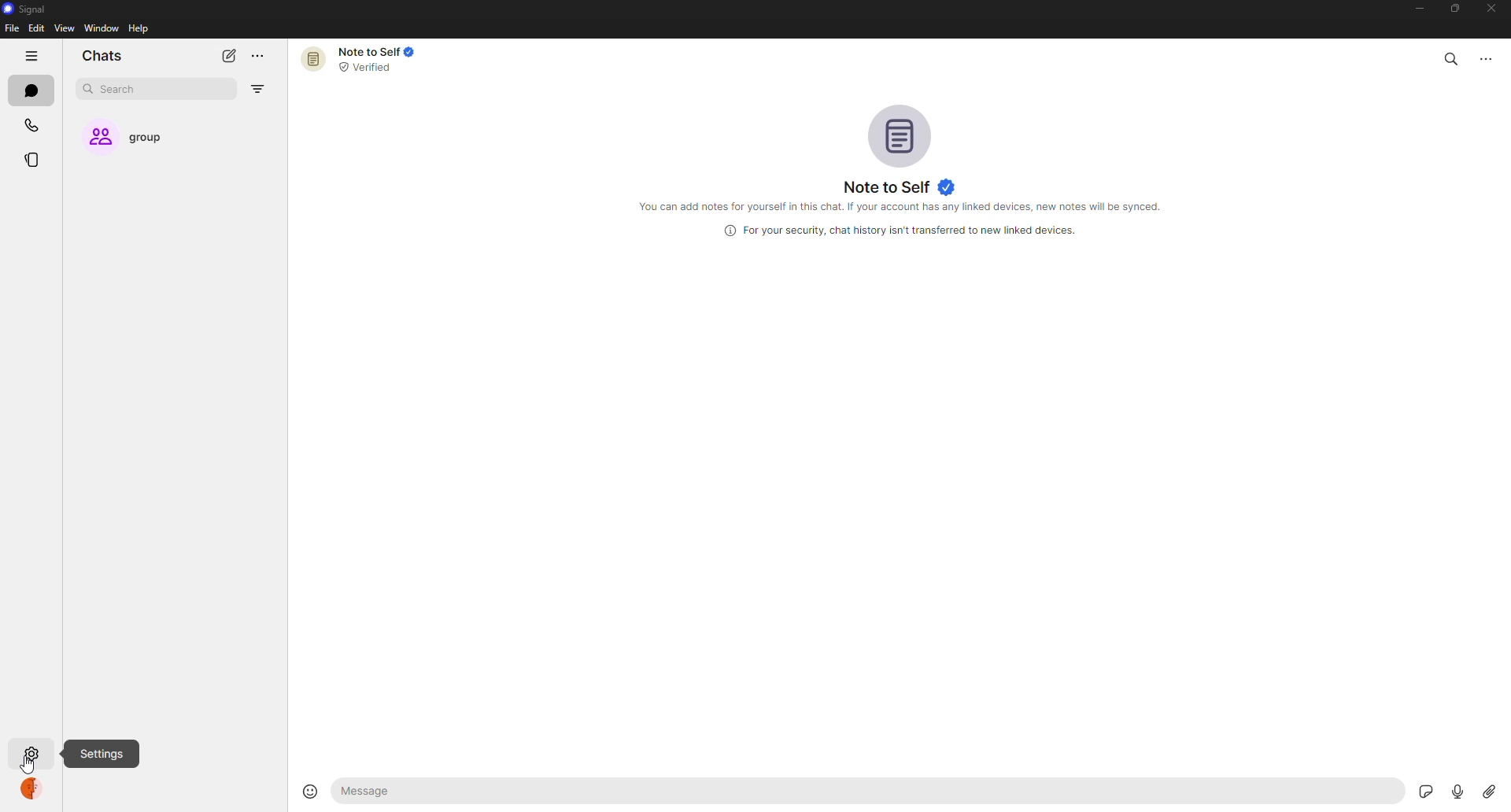 Image resolution: width=1511 pixels, height=812 pixels. I want to click on view, so click(64, 28).